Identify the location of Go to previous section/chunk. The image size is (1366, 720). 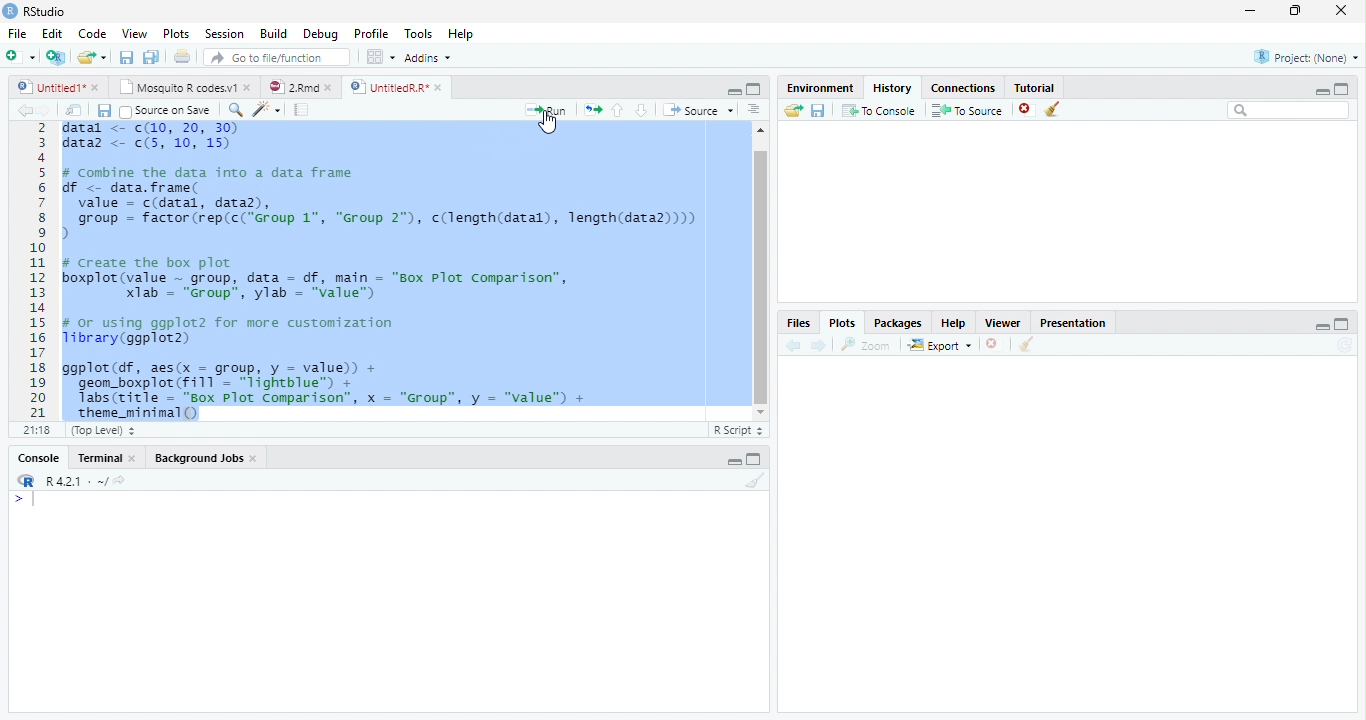
(617, 110).